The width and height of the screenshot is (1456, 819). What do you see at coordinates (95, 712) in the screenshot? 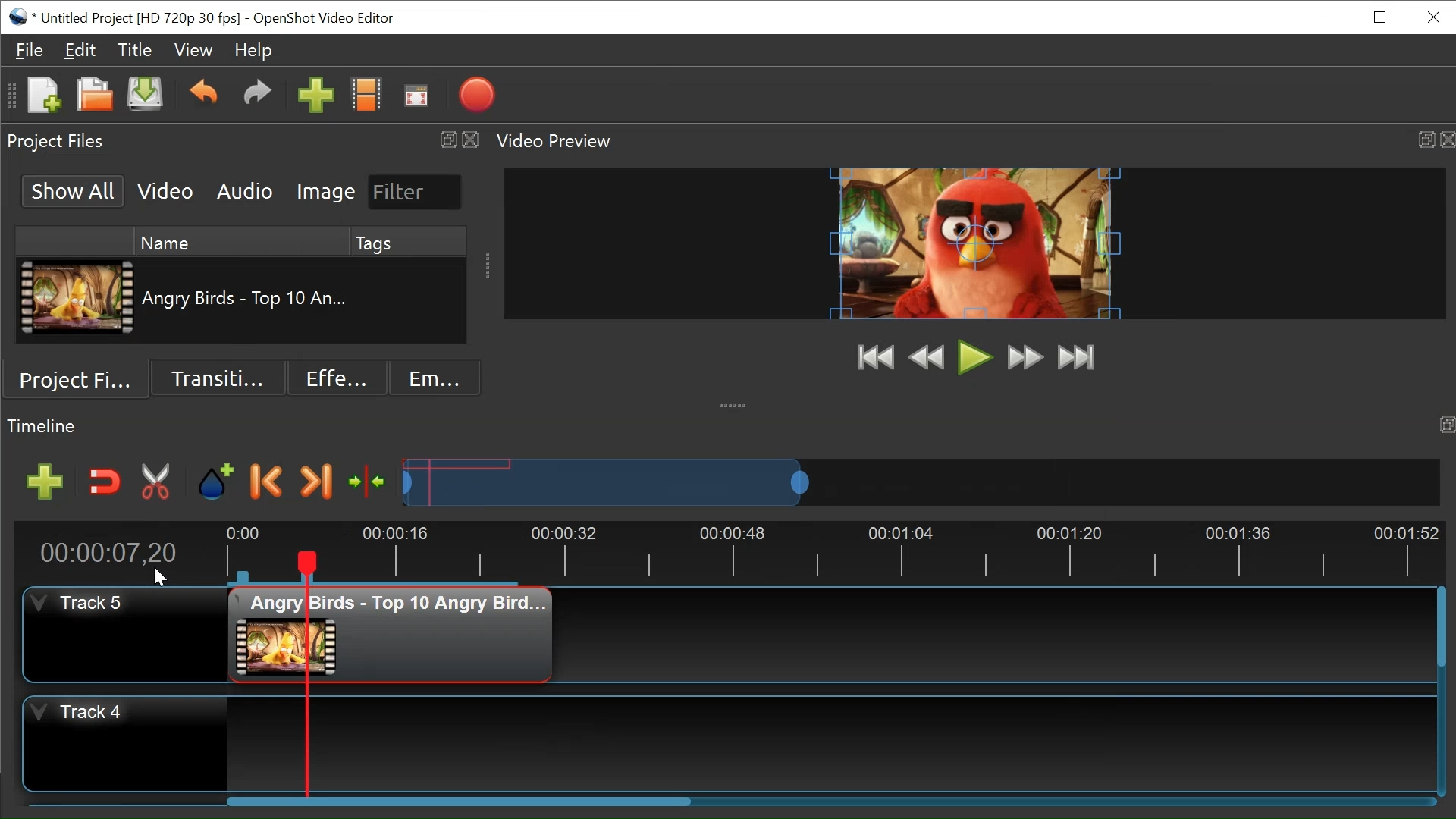
I see `Track Header` at bounding box center [95, 712].